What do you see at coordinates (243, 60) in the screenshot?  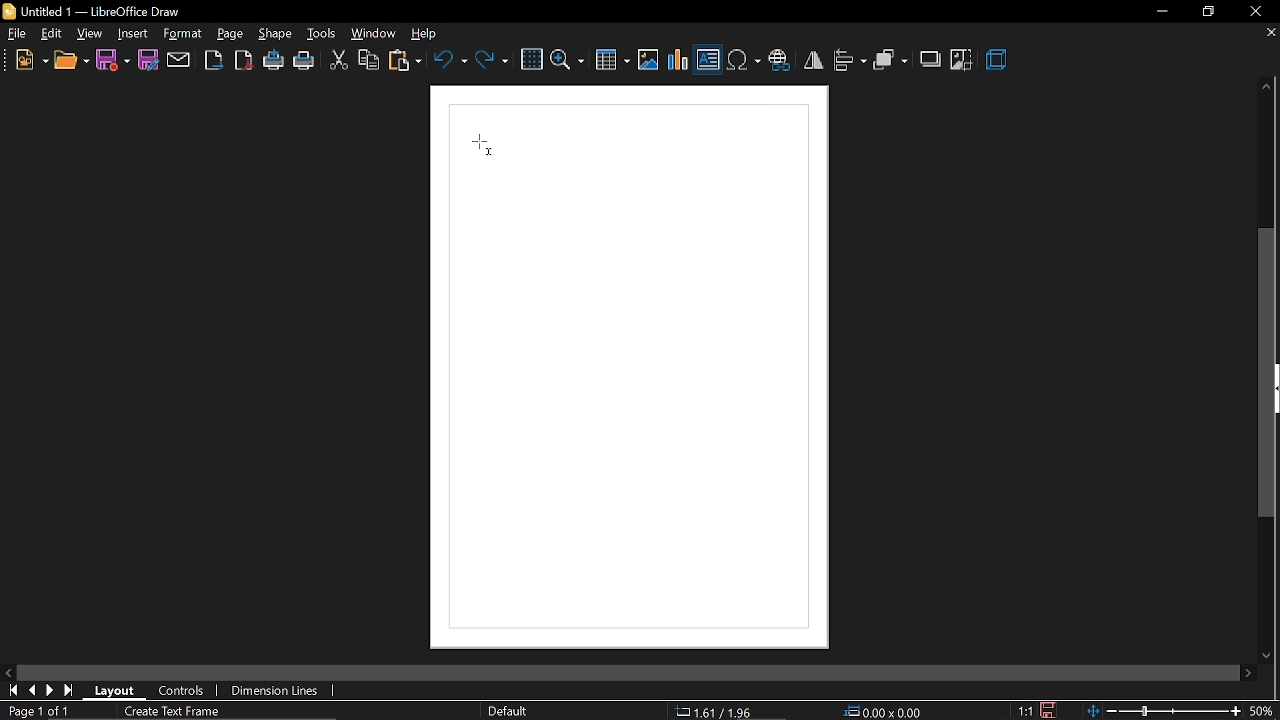 I see `export as pdf` at bounding box center [243, 60].